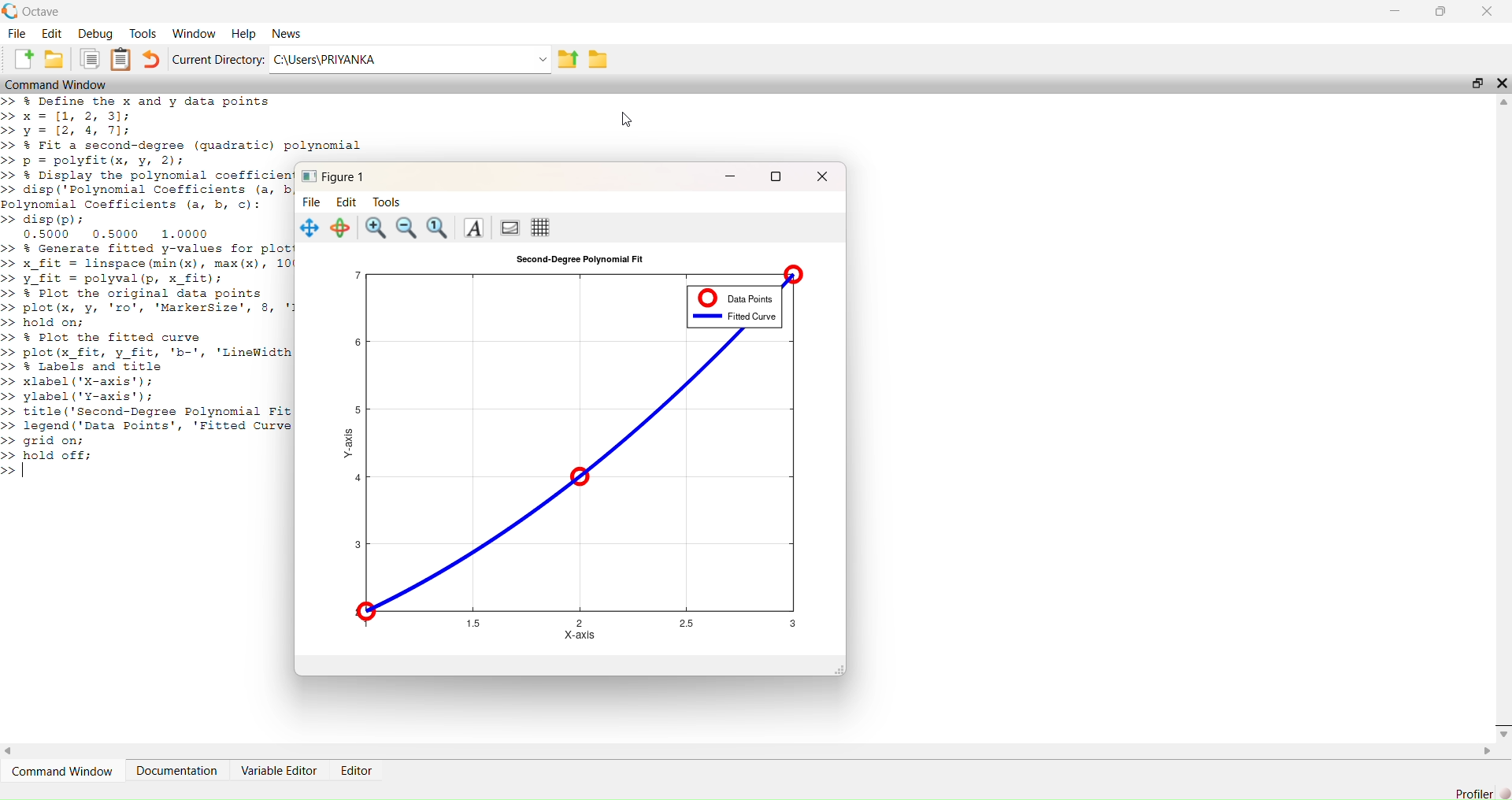 The height and width of the screenshot is (800, 1512). Describe the element at coordinates (121, 59) in the screenshot. I see `Paste` at that location.